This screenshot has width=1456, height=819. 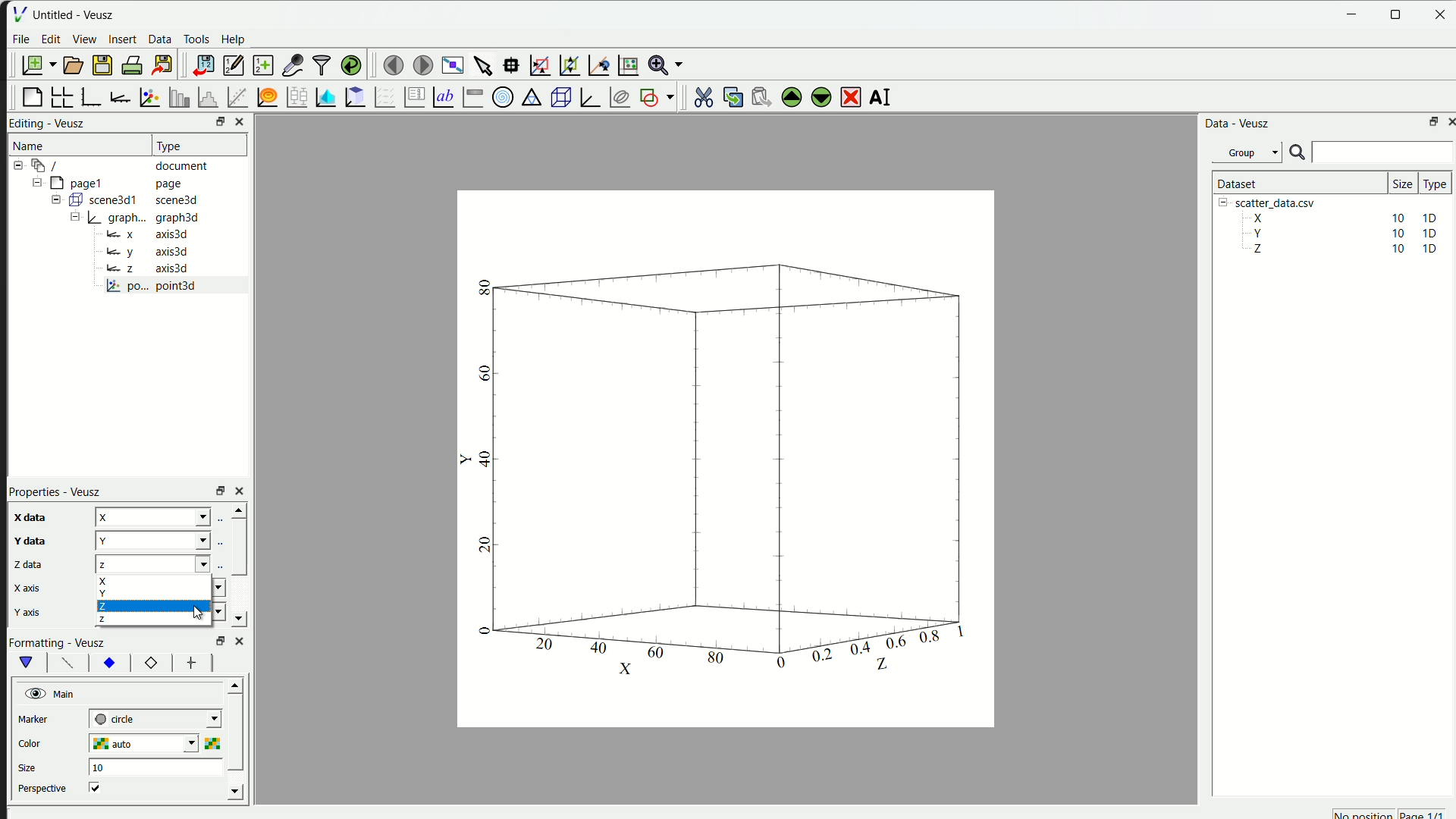 I want to click on plot dataset, so click(x=323, y=96).